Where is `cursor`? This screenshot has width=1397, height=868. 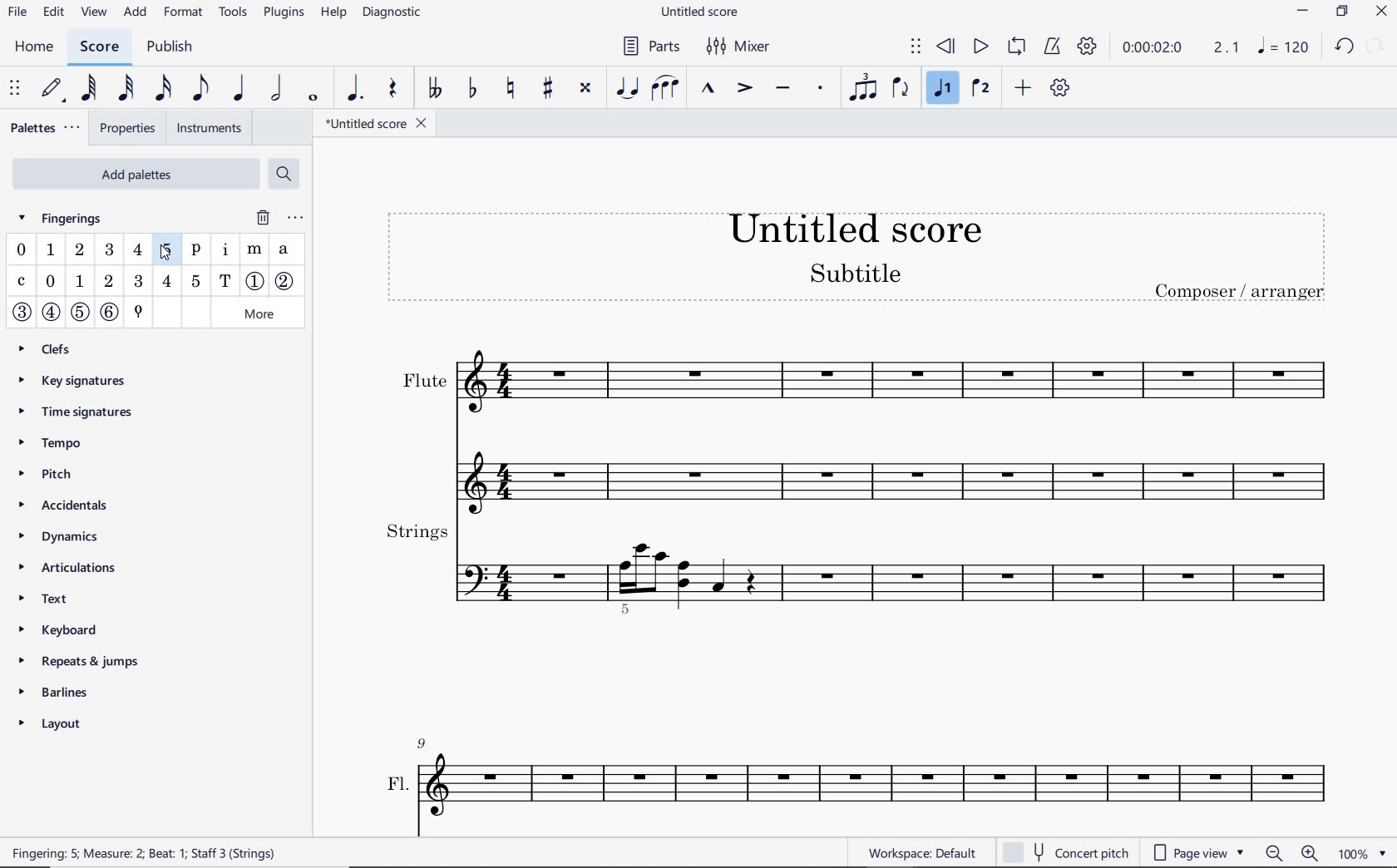
cursor is located at coordinates (167, 249).